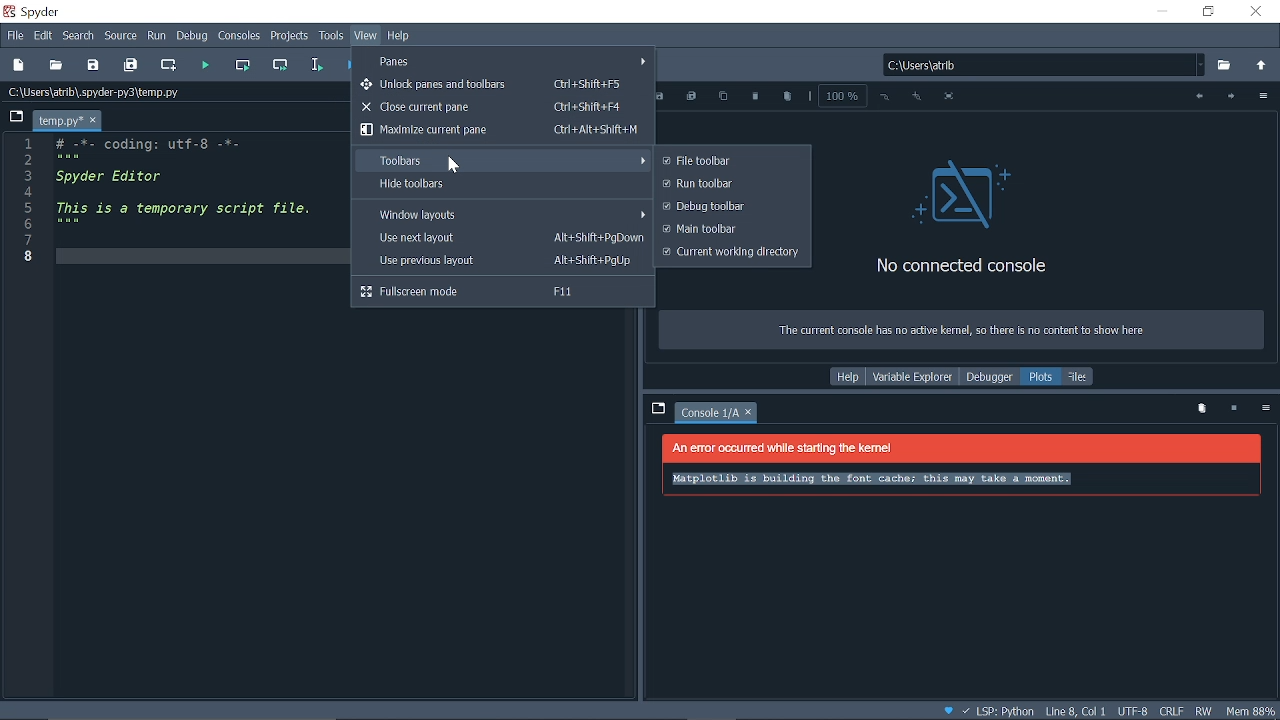 The height and width of the screenshot is (720, 1280). Describe the element at coordinates (1196, 97) in the screenshot. I see `Previous plot` at that location.